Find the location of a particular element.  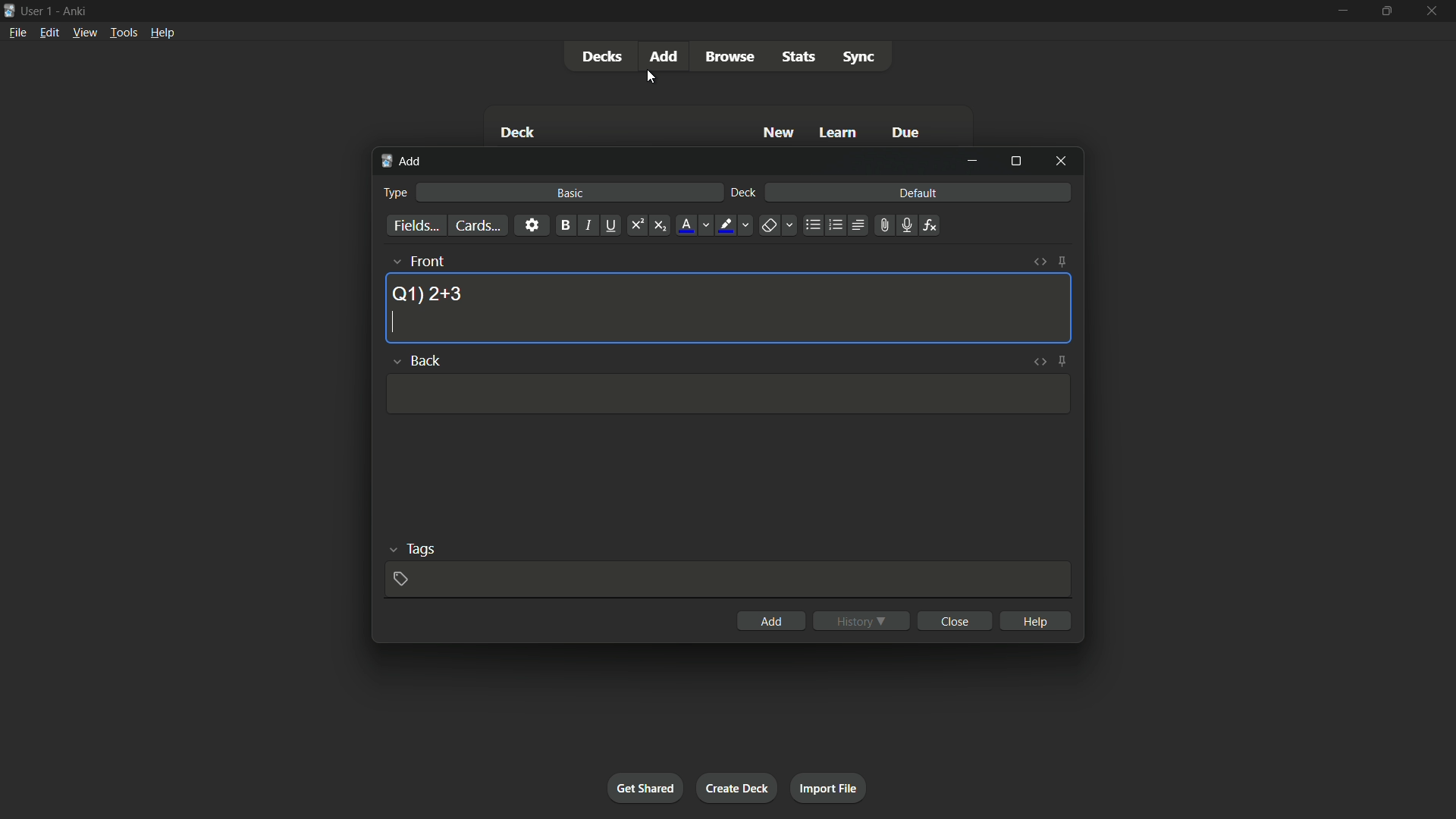

front is located at coordinates (426, 261).